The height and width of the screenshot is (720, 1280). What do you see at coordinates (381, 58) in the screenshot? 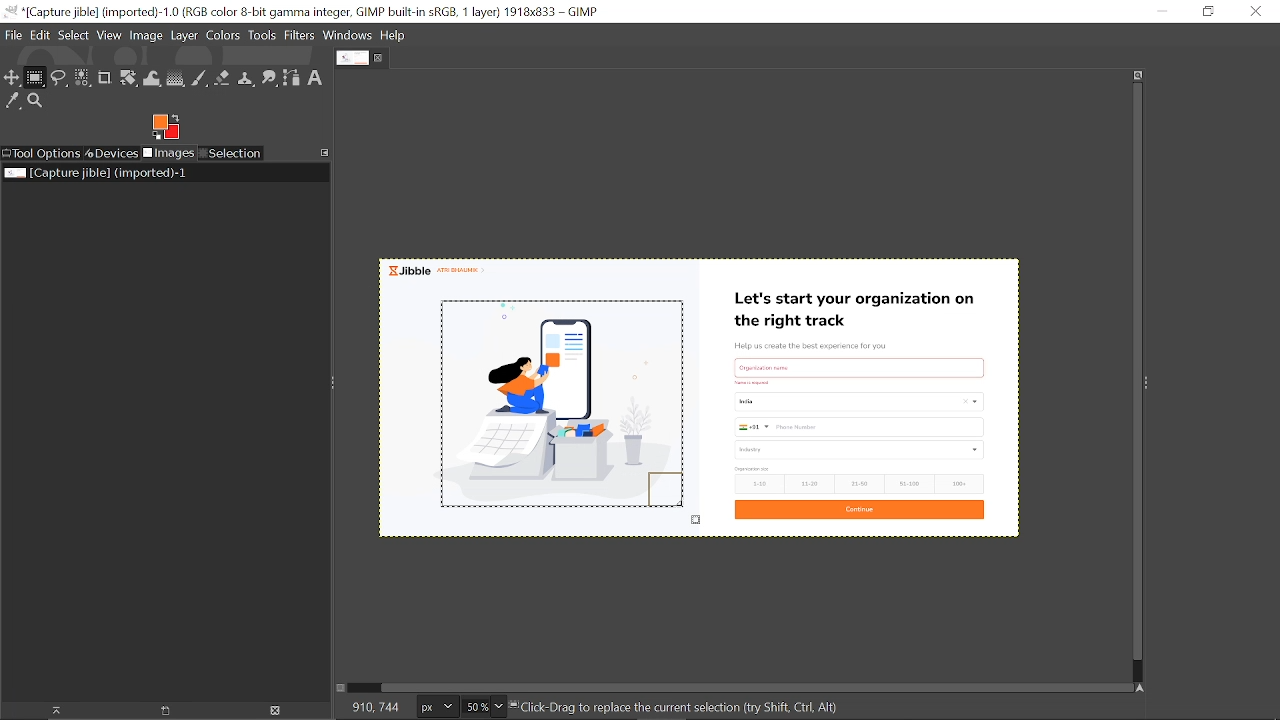
I see `Close tab` at bounding box center [381, 58].